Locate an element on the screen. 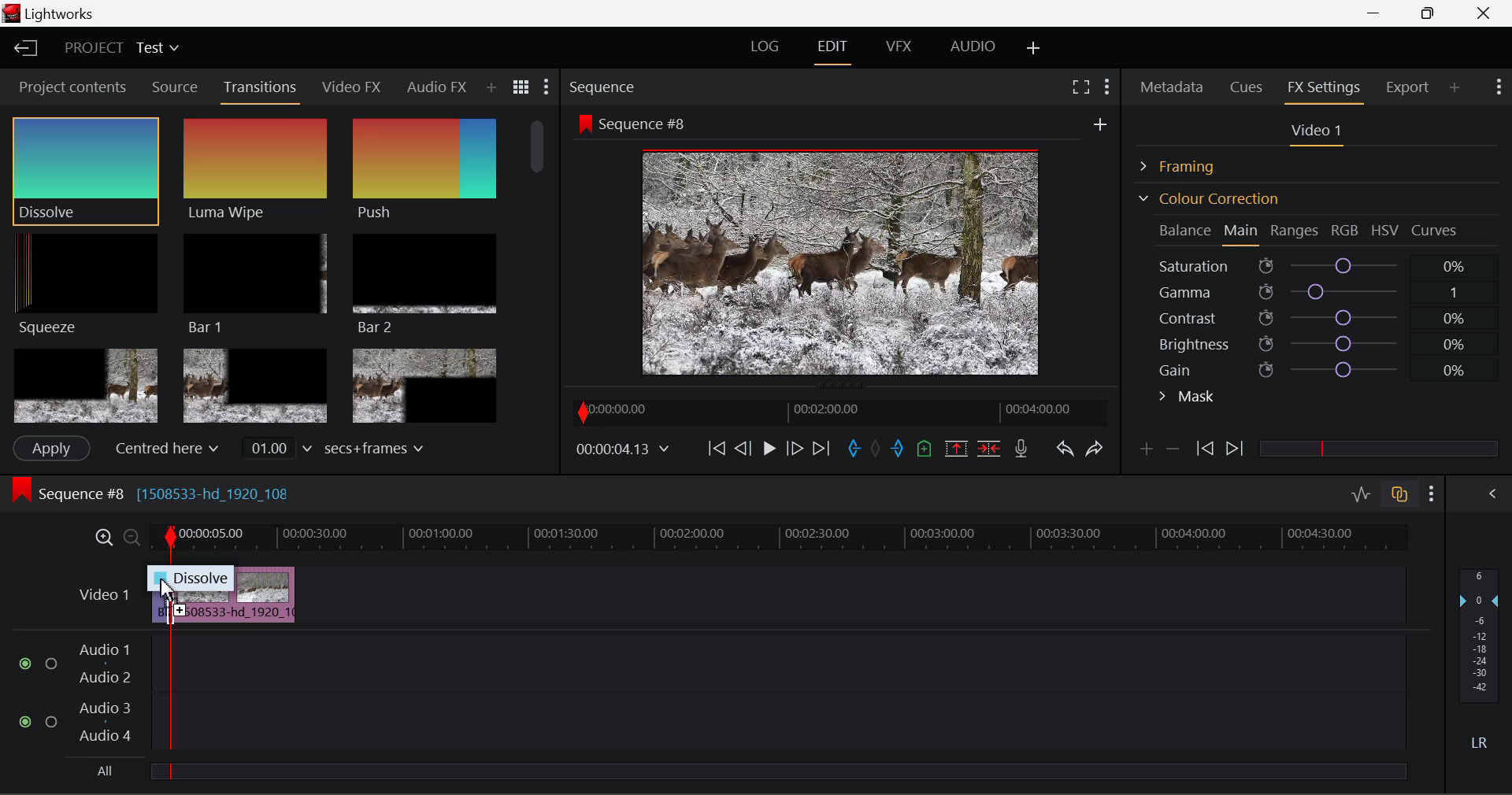 The height and width of the screenshot is (795, 1512). EDIT Layout is located at coordinates (835, 50).